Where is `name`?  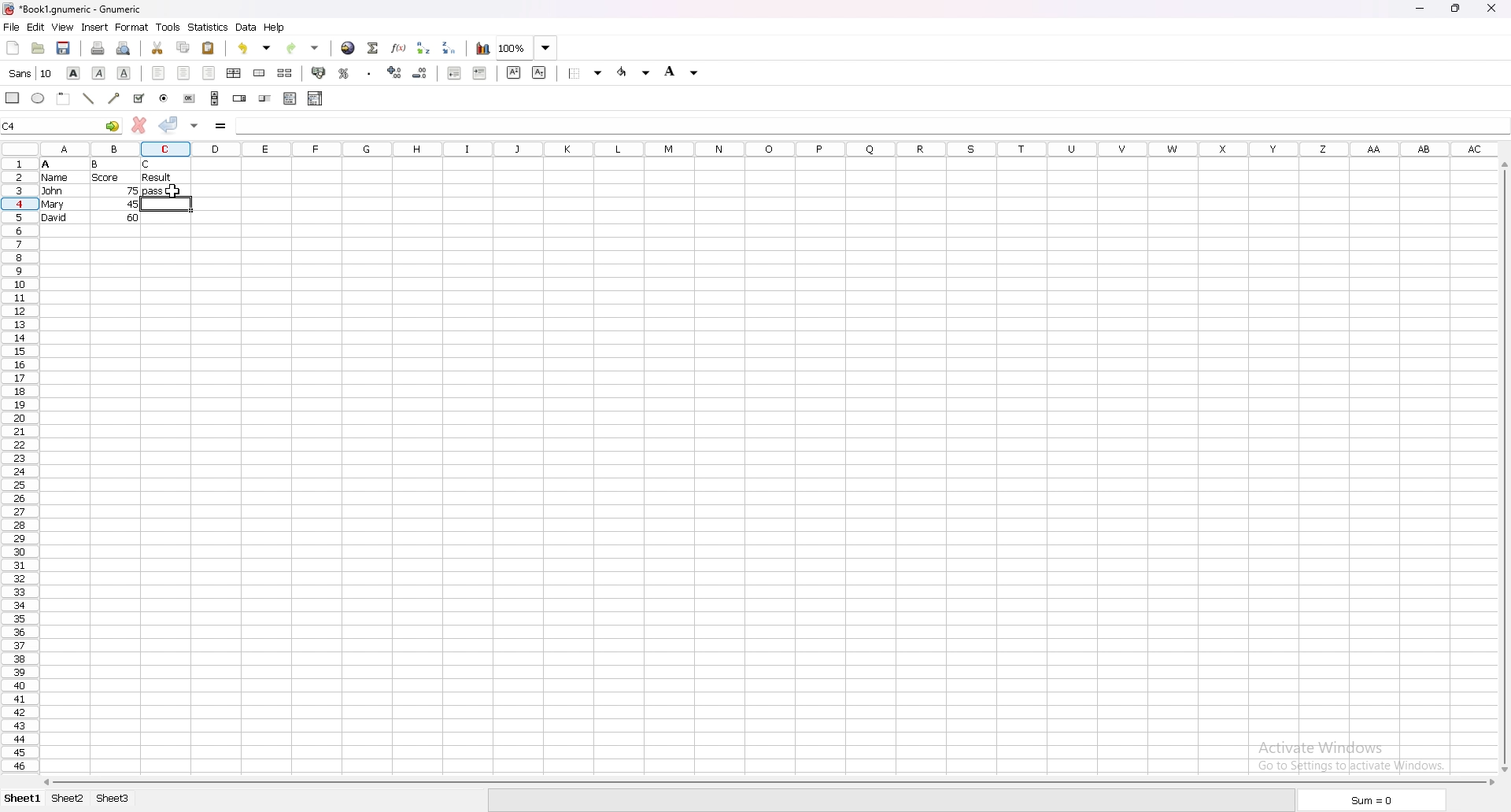 name is located at coordinates (55, 178).